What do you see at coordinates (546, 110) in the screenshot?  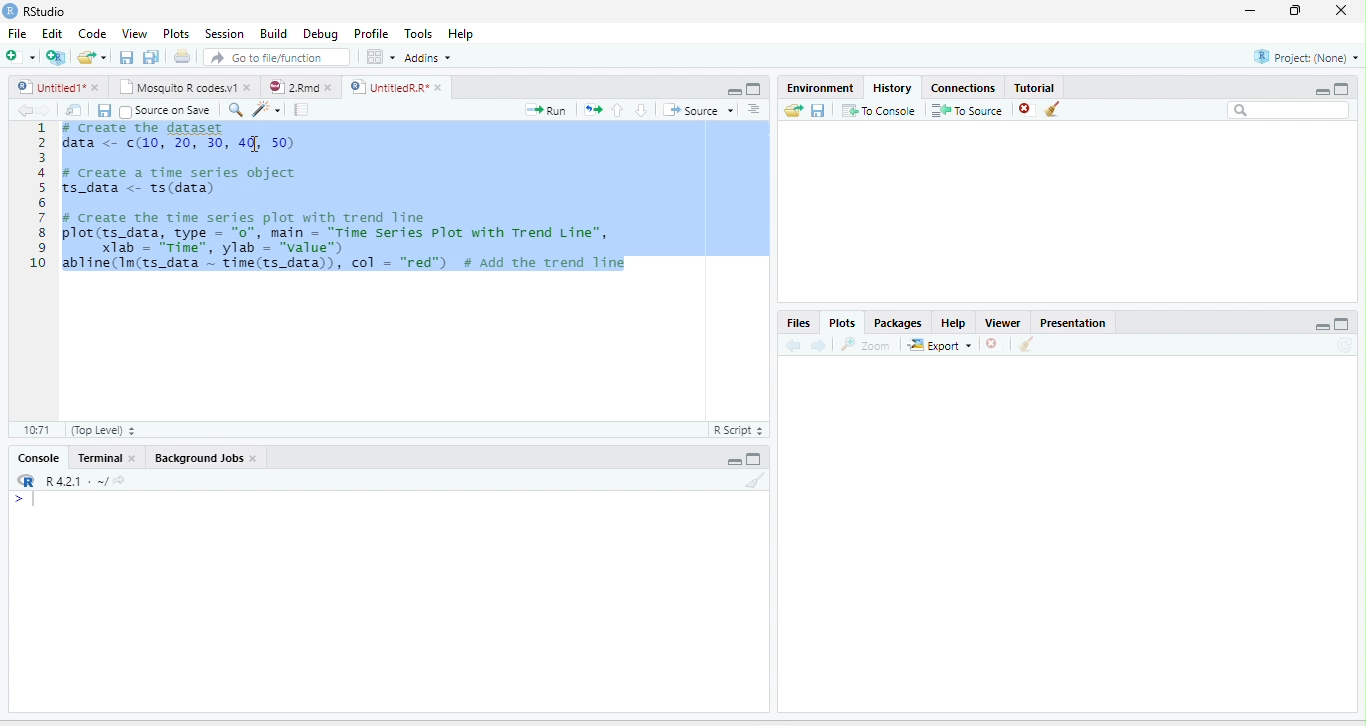 I see `Run` at bounding box center [546, 110].